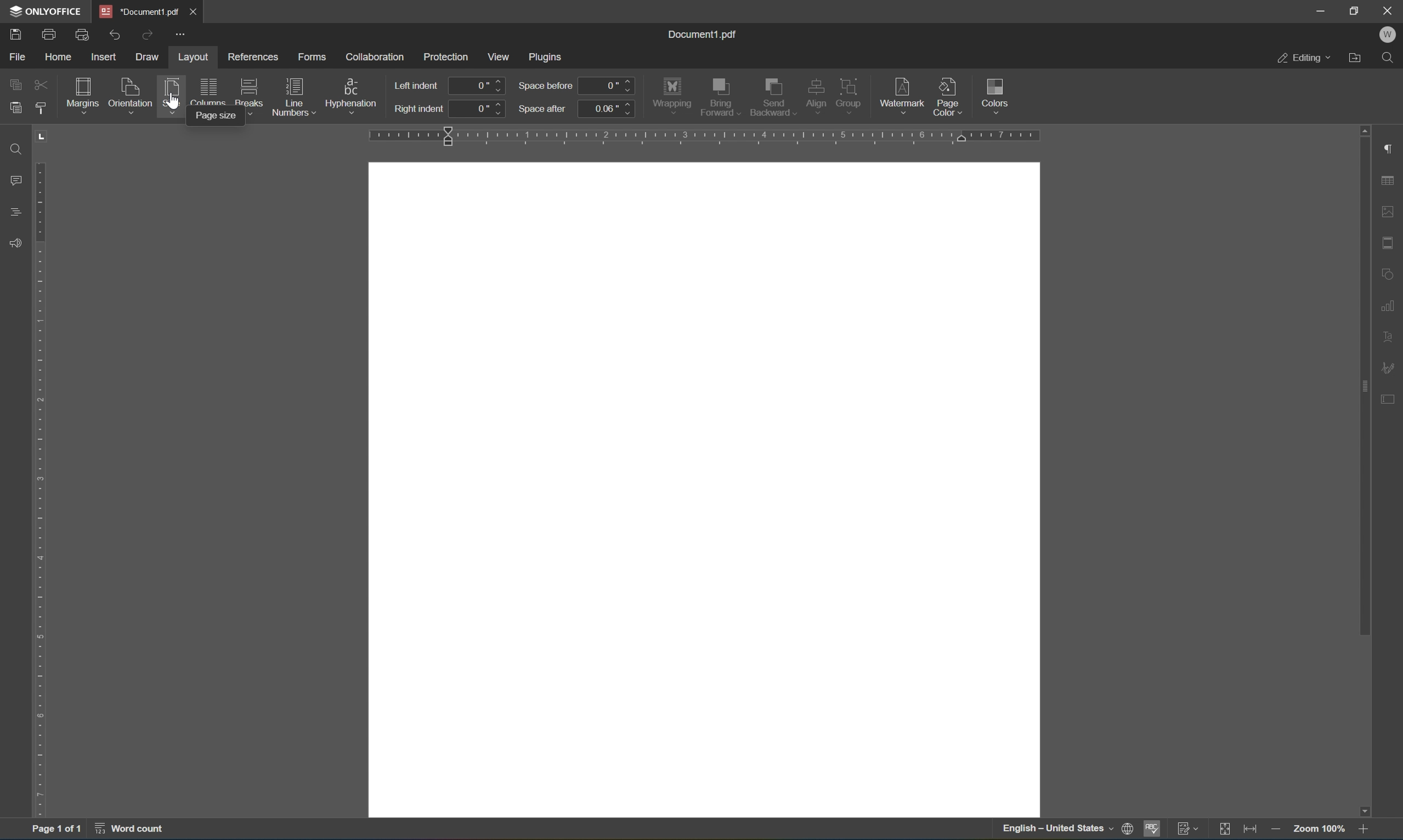  Describe the element at coordinates (15, 83) in the screenshot. I see `copy` at that location.